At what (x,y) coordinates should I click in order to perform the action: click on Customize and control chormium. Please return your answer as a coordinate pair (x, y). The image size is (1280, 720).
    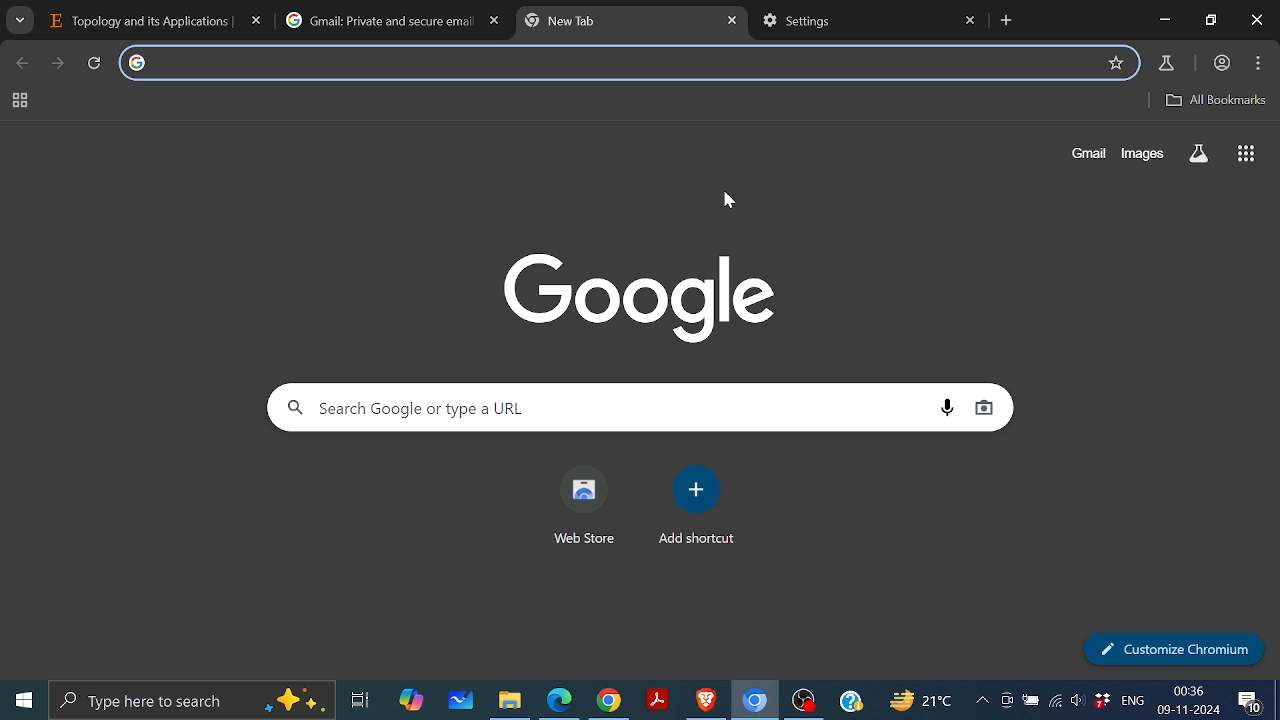
    Looking at the image, I should click on (1259, 63).